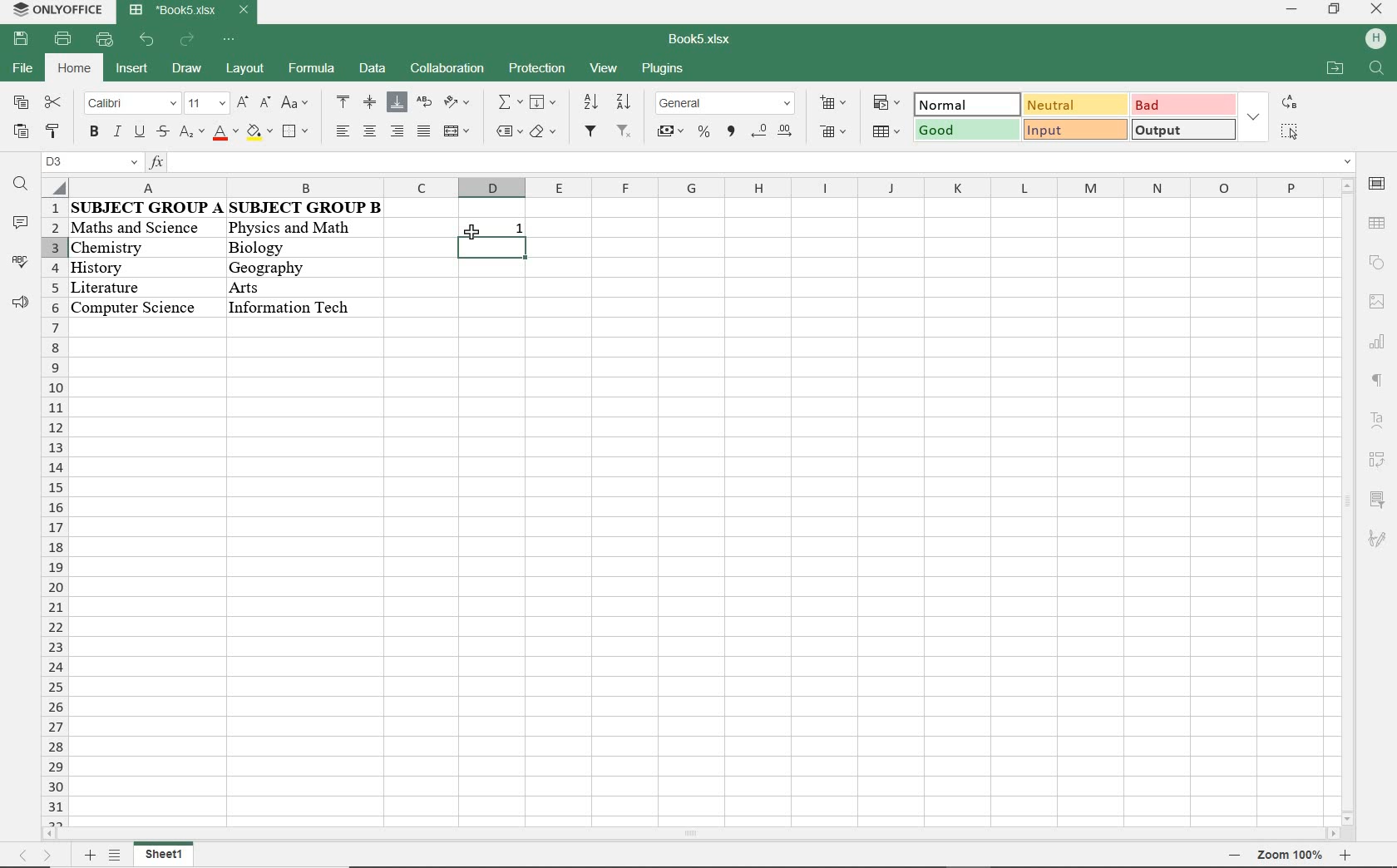  Describe the element at coordinates (396, 131) in the screenshot. I see `align right` at that location.